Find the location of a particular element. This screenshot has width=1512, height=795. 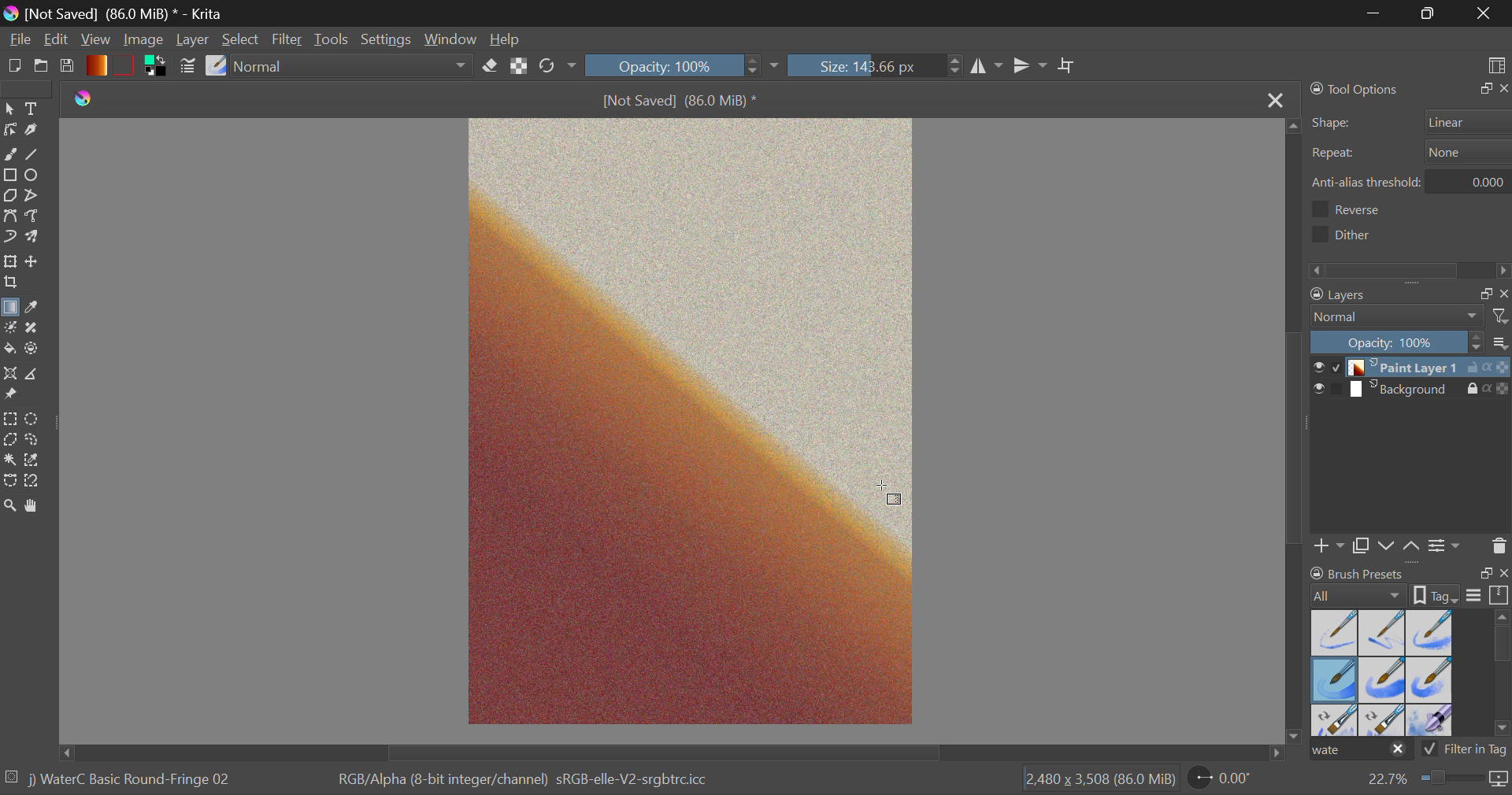

Eyedropper is located at coordinates (38, 309).